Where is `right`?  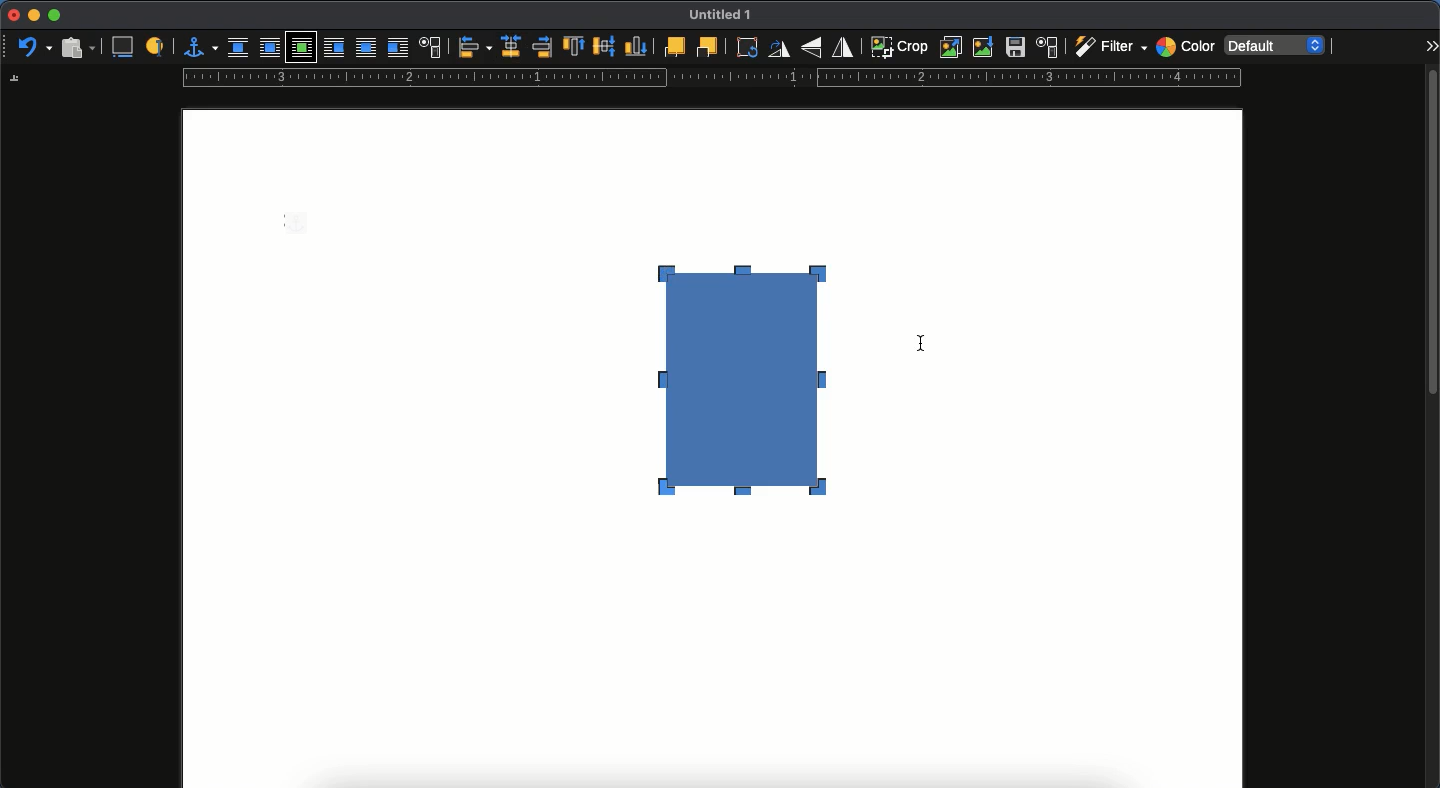
right is located at coordinates (544, 47).